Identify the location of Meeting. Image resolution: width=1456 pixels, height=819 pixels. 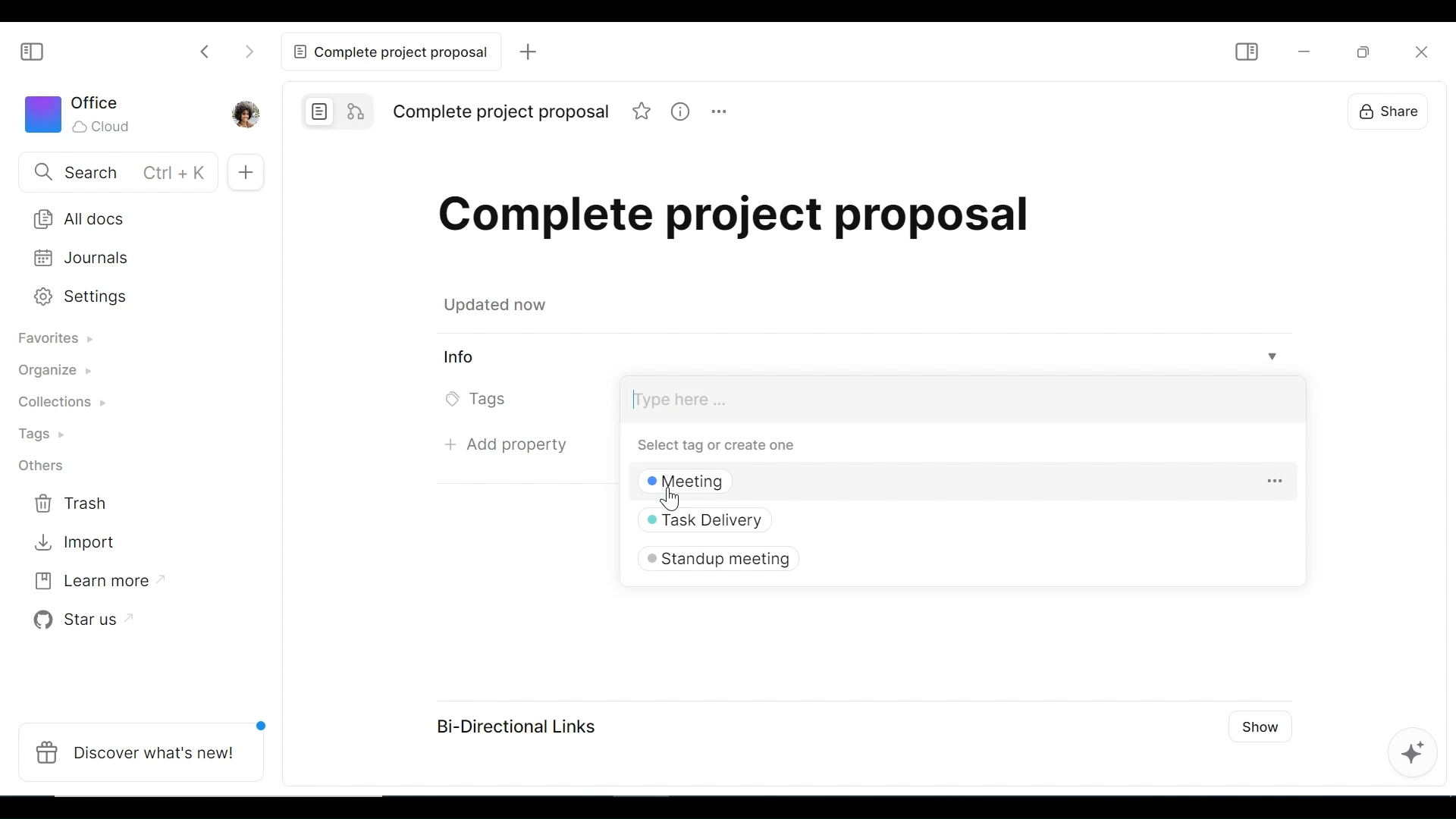
(702, 481).